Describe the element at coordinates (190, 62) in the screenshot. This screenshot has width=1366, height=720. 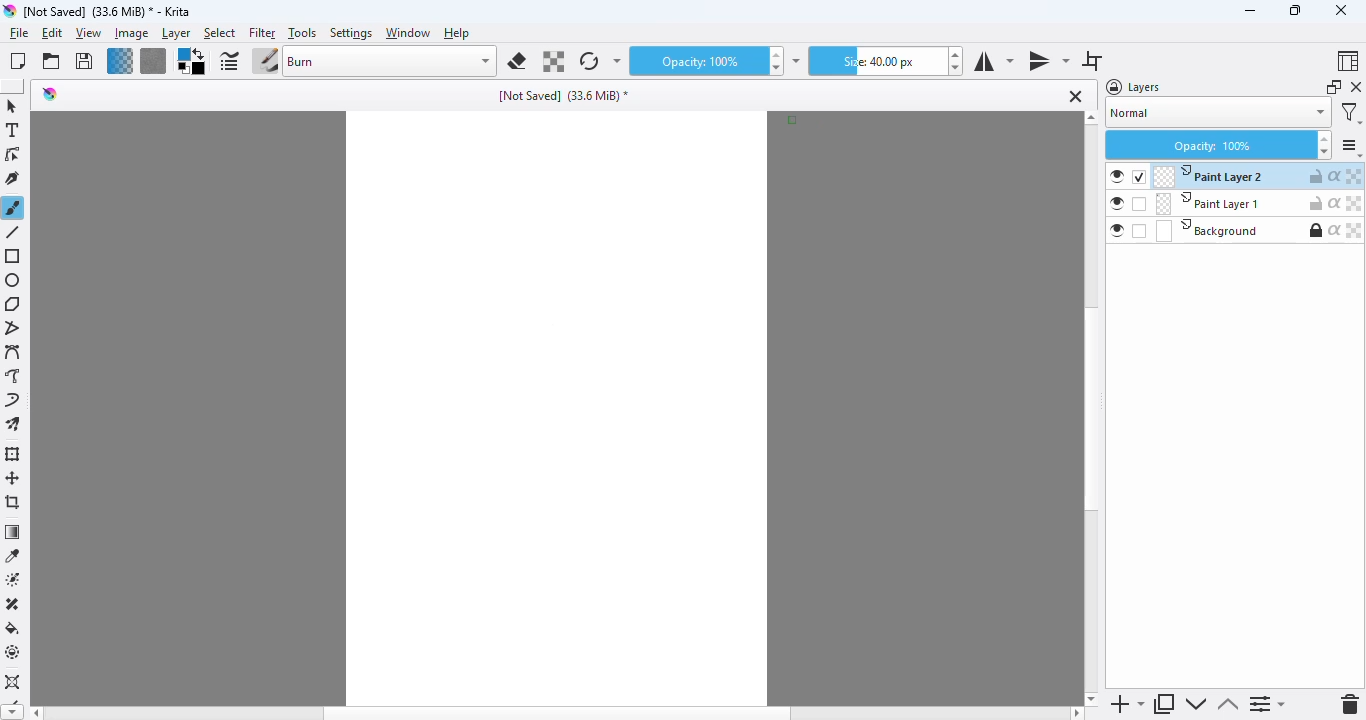
I see `foreground/background color selector` at that location.